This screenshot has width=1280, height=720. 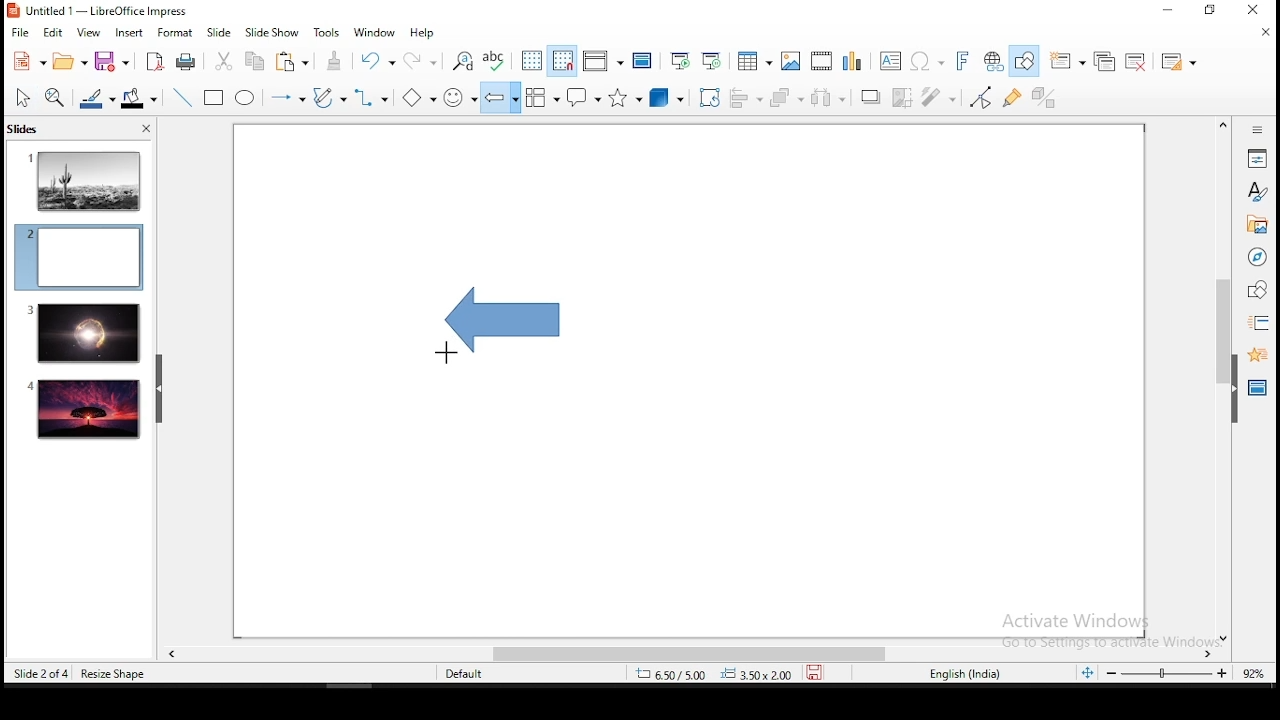 I want to click on 3D objects, so click(x=664, y=99).